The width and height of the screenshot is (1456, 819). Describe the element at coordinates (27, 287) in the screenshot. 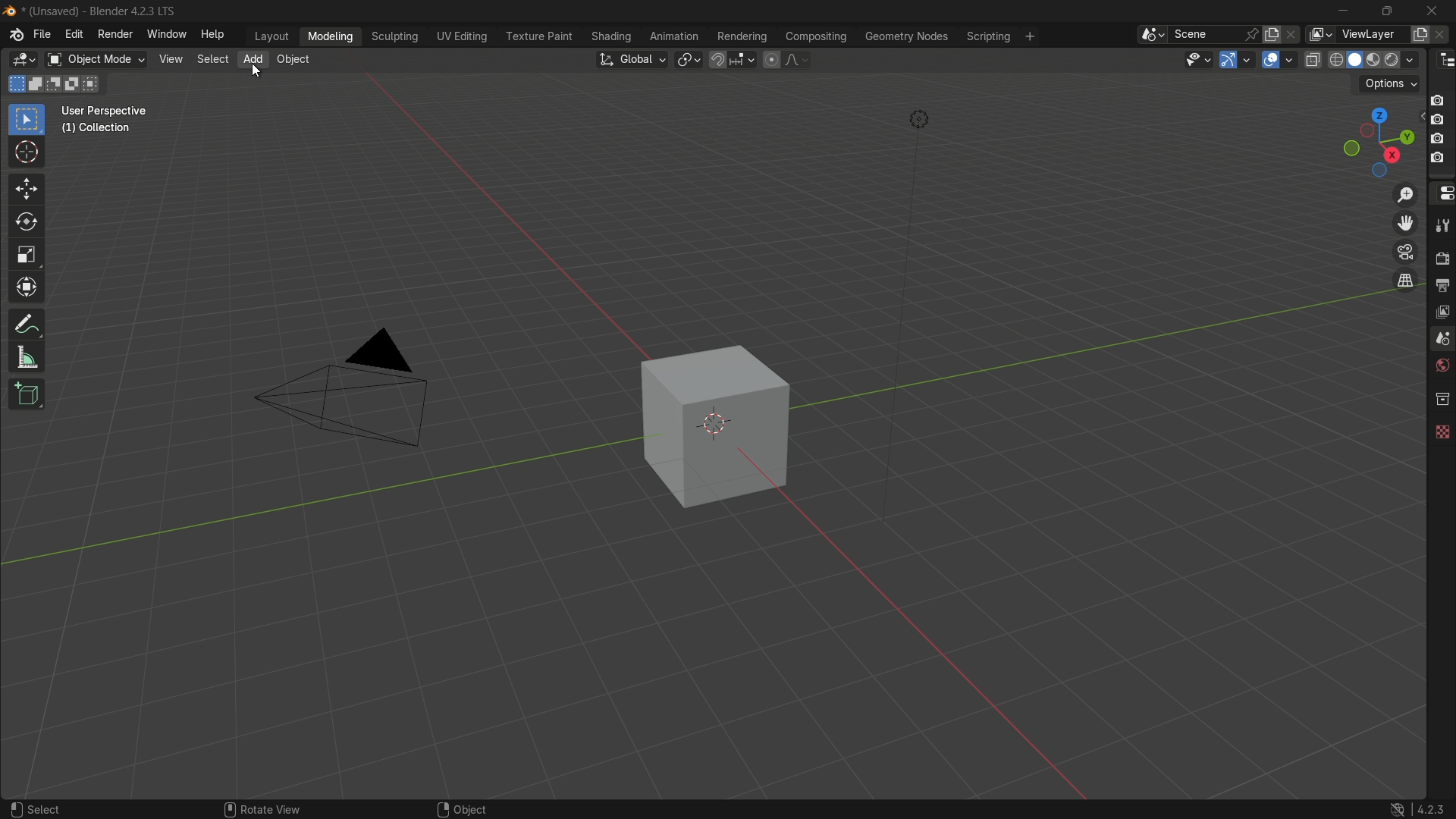

I see `transform` at that location.